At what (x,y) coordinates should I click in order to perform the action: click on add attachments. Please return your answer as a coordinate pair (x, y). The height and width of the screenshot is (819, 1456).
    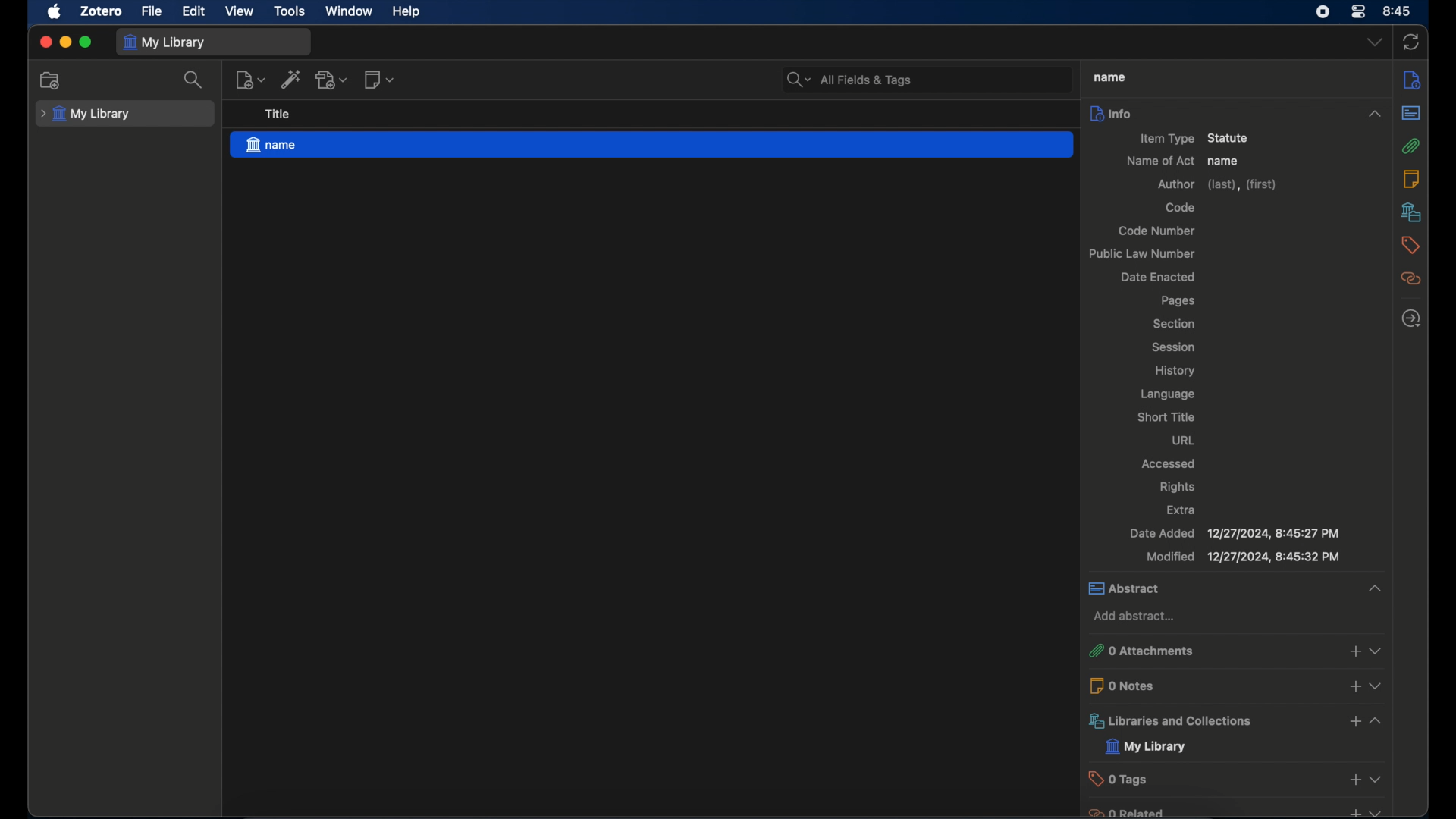
    Looking at the image, I should click on (1353, 651).